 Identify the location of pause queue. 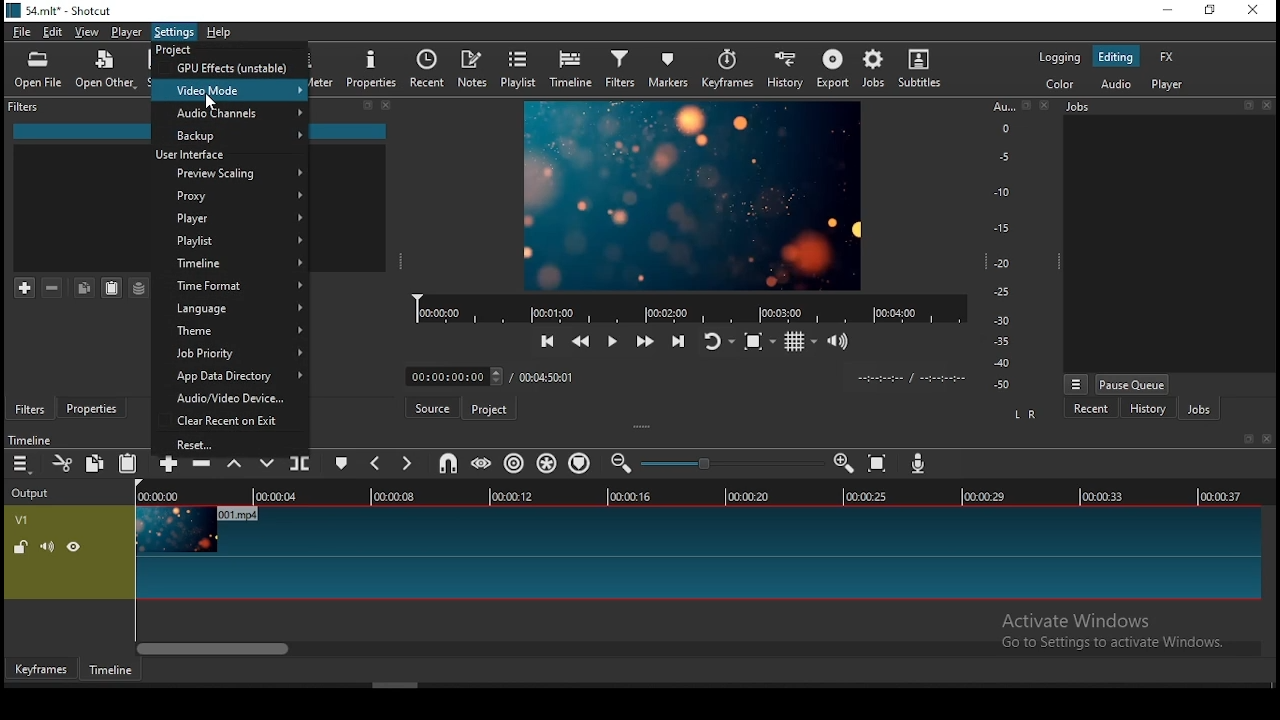
(1132, 384).